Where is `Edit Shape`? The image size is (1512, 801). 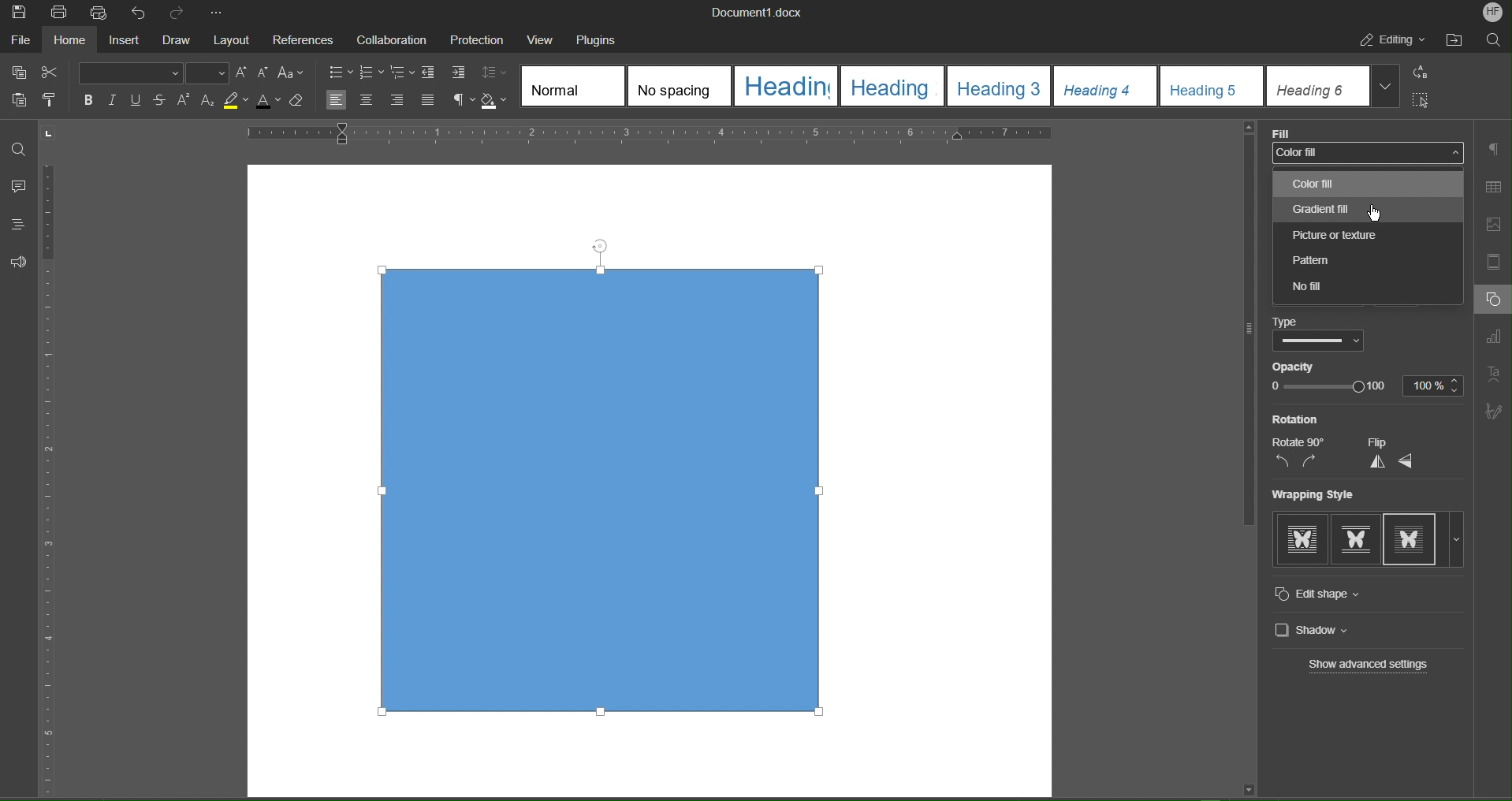
Edit Shape is located at coordinates (1328, 594).